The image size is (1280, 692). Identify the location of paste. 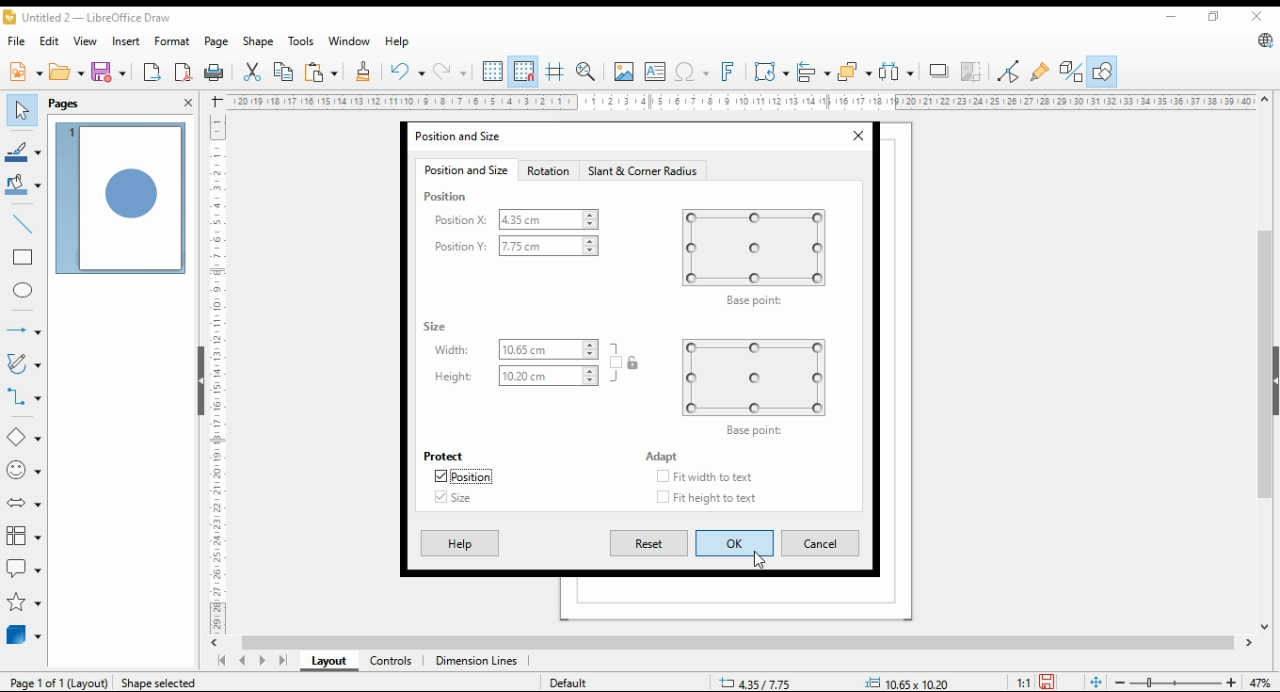
(321, 73).